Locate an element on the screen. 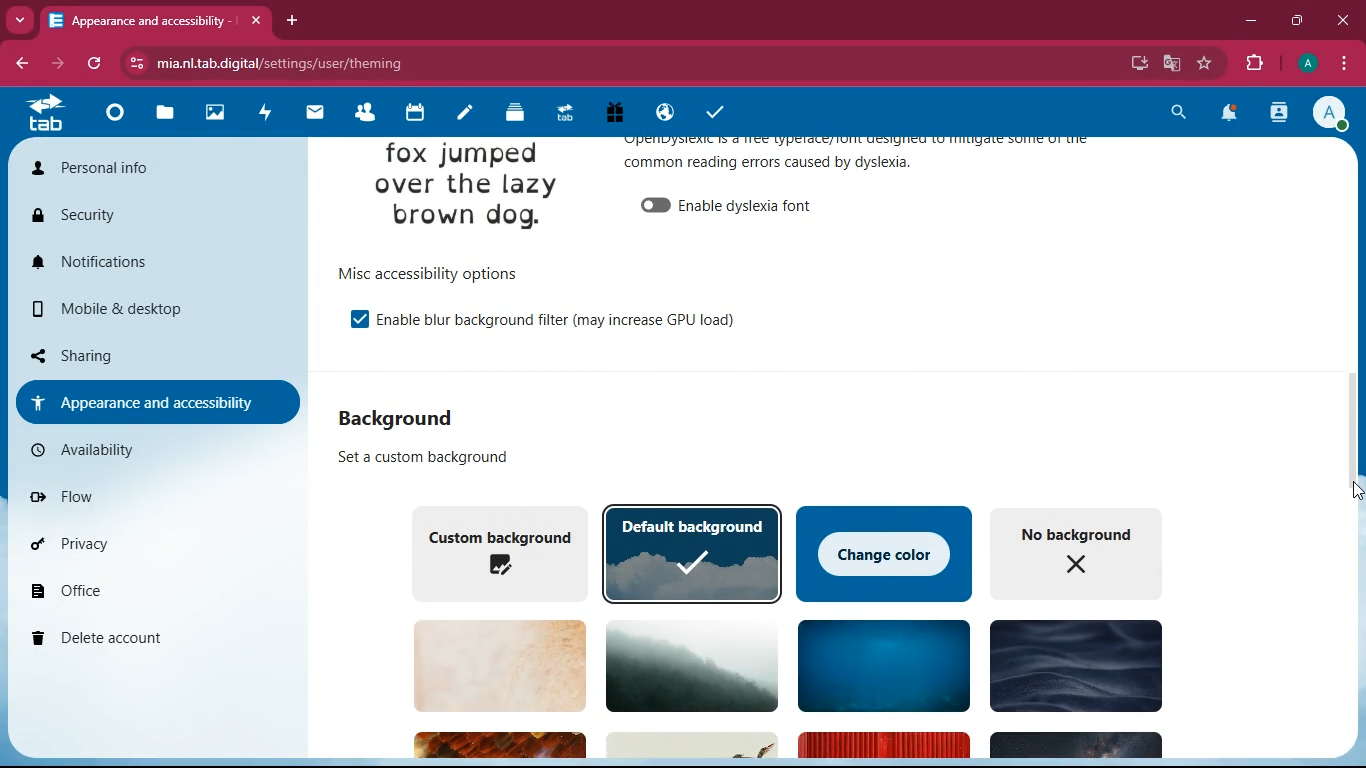 This screenshot has width=1366, height=768. public is located at coordinates (663, 116).